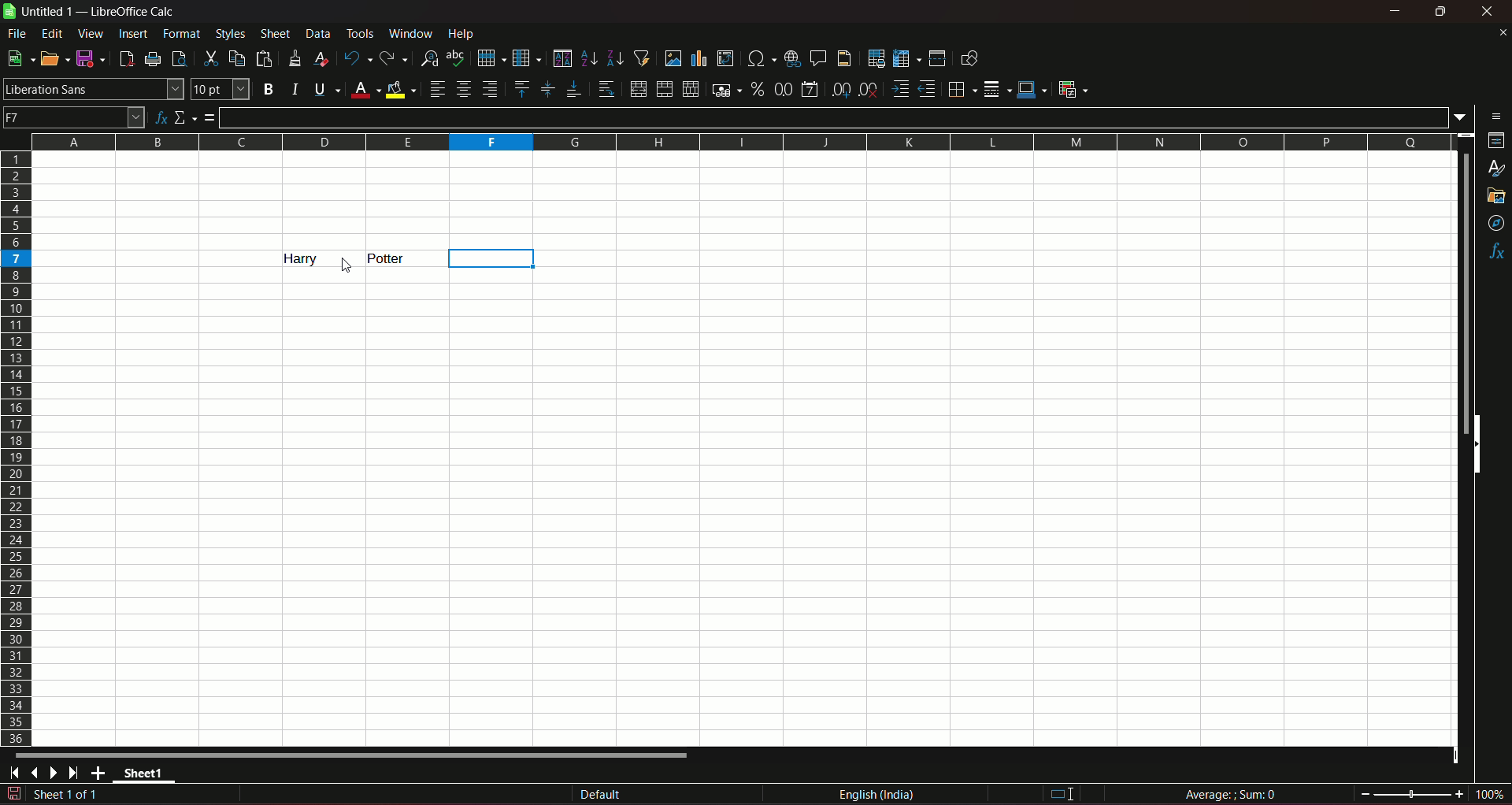  Describe the element at coordinates (606, 90) in the screenshot. I see `wrap text` at that location.